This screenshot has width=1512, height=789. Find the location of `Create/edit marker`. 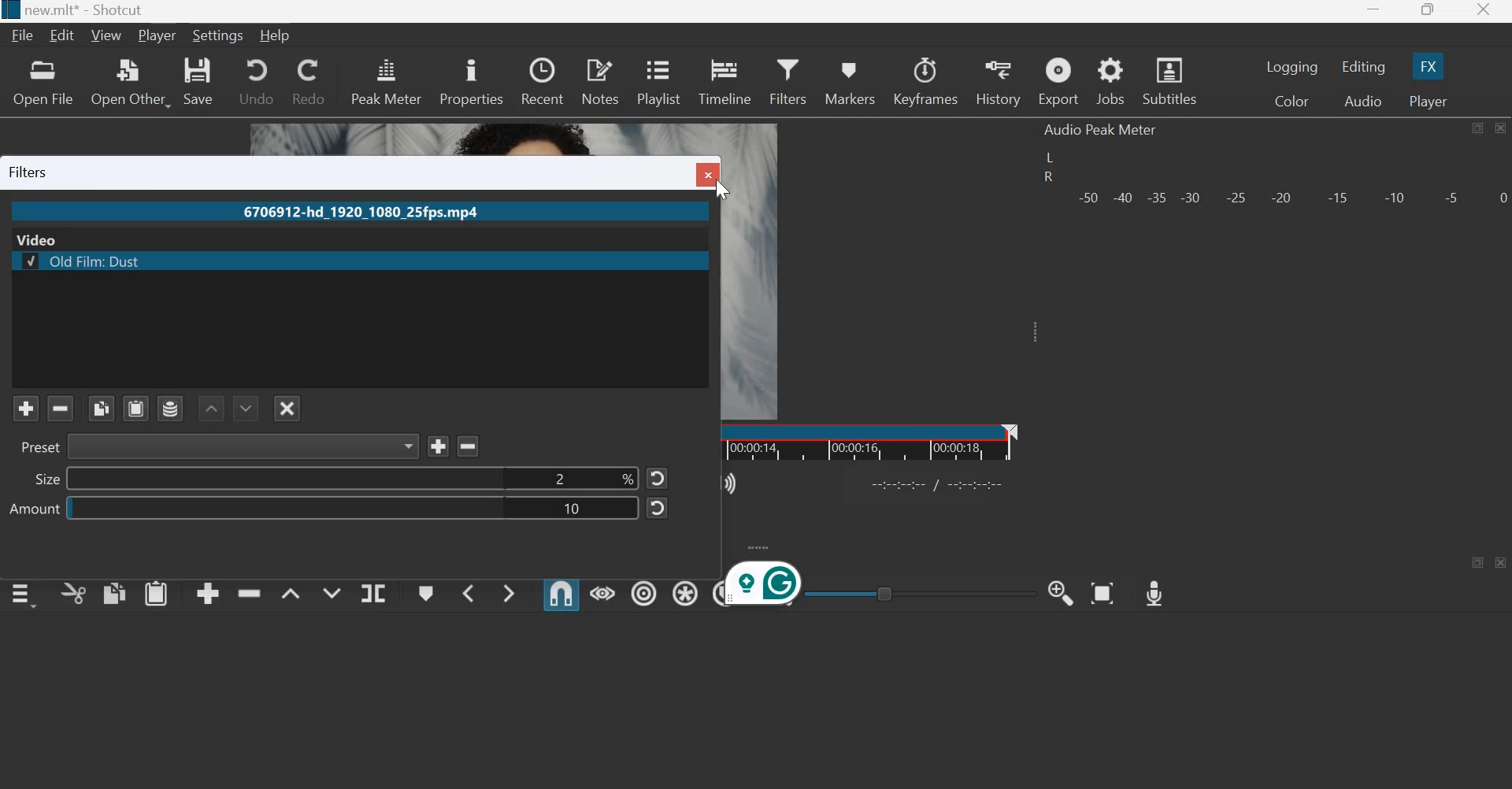

Create/edit marker is located at coordinates (427, 594).